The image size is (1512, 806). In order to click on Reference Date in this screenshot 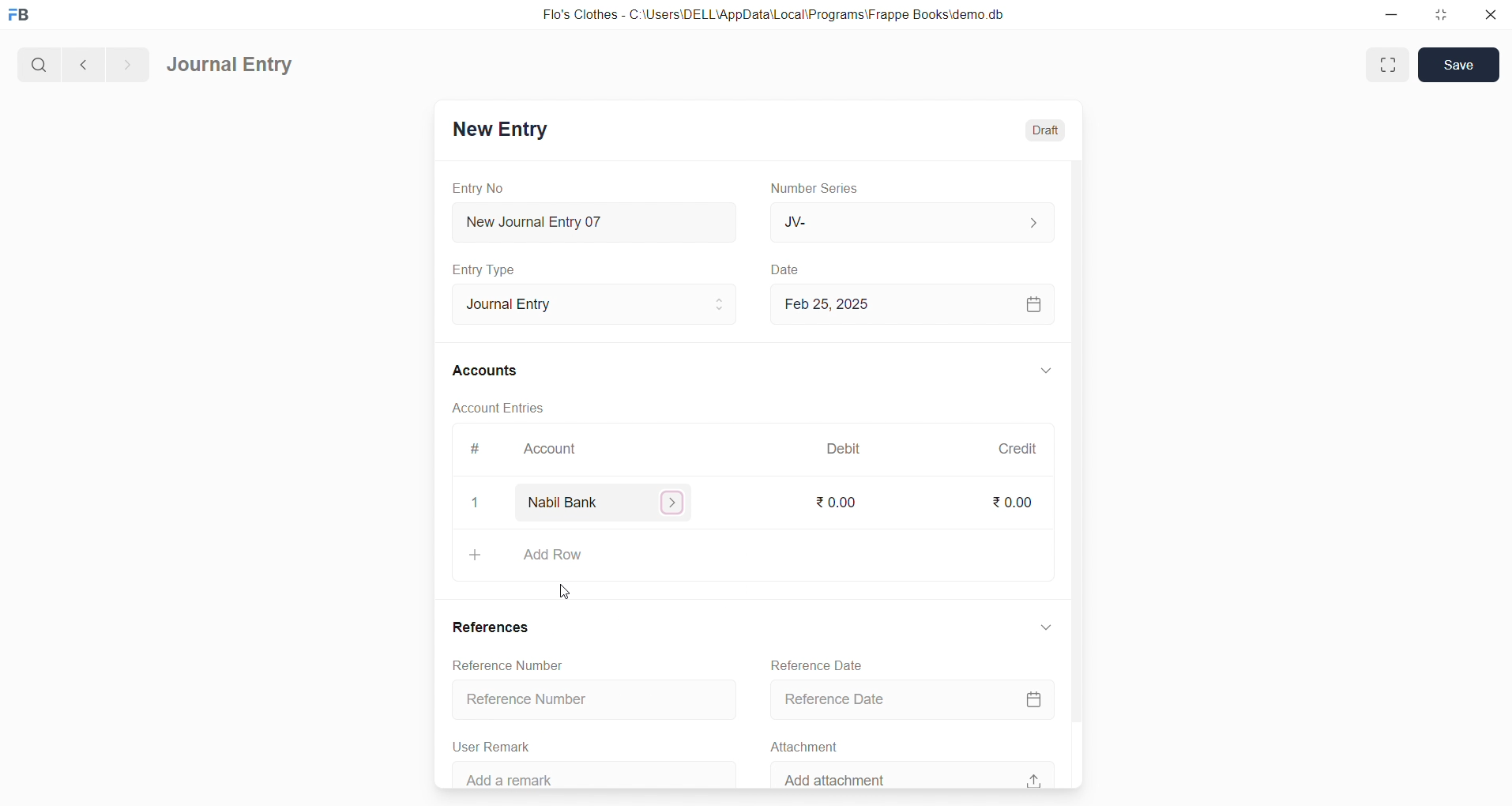, I will do `click(917, 698)`.